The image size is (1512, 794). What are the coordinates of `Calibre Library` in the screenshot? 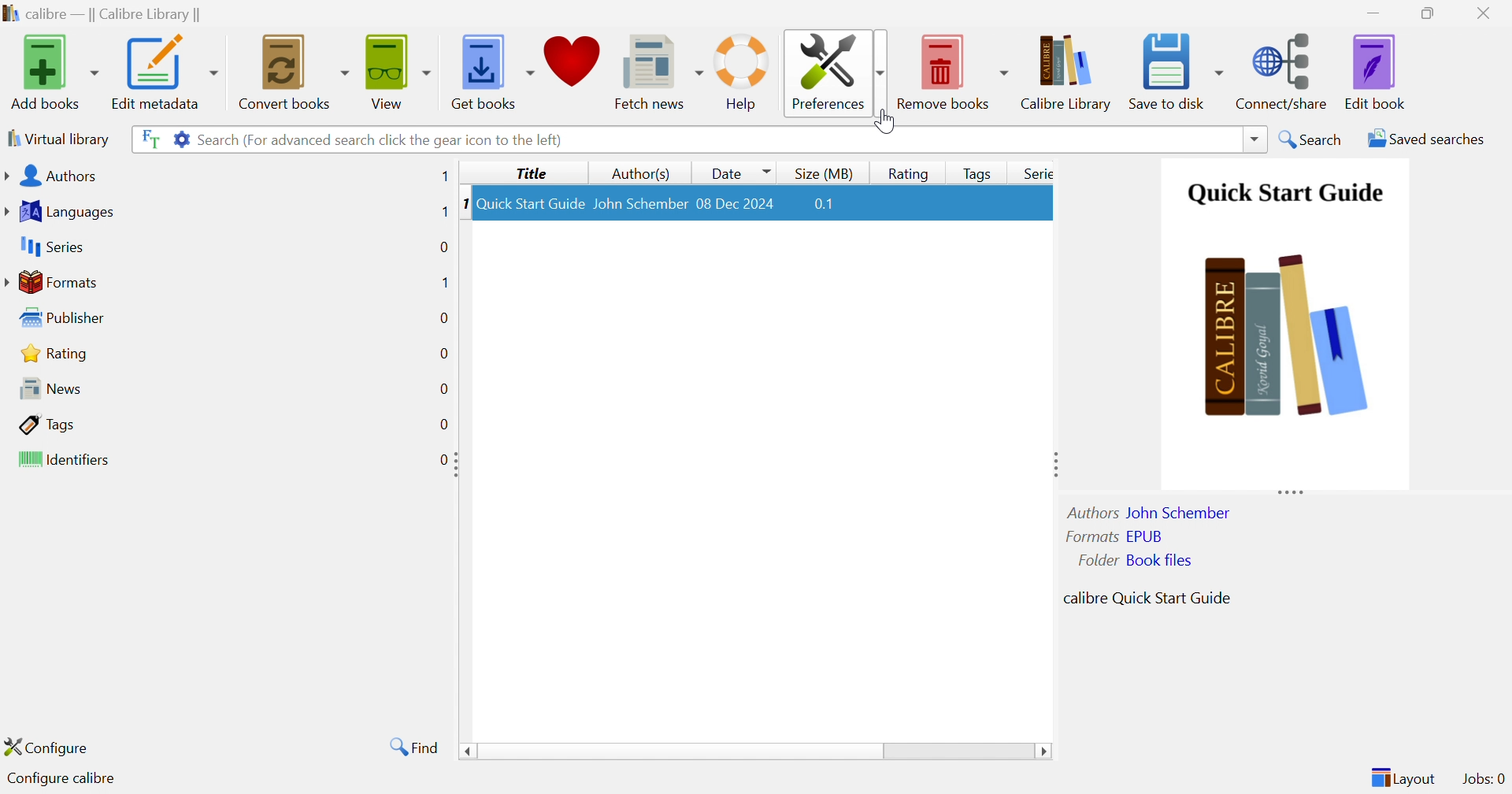 It's located at (1070, 72).